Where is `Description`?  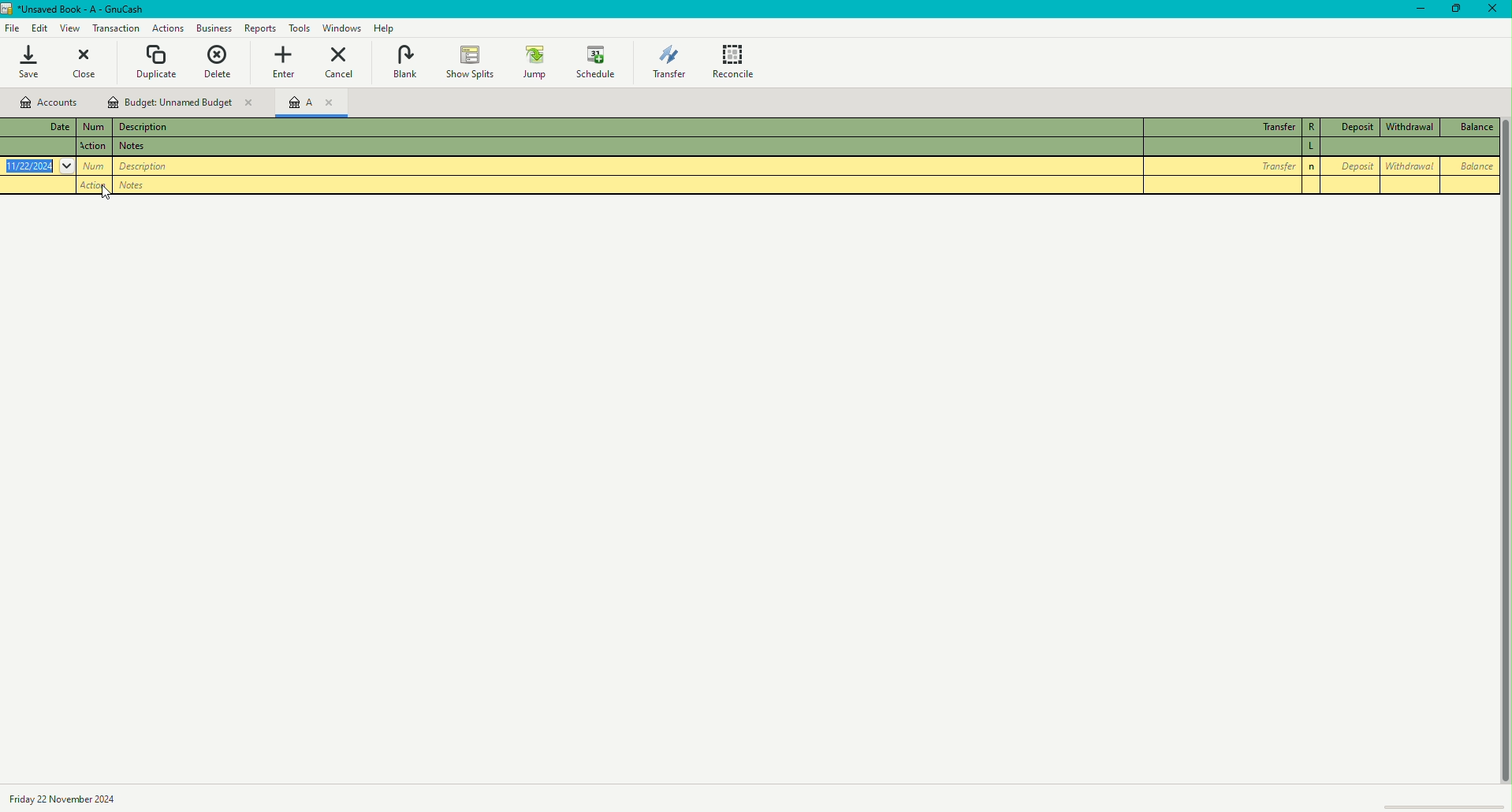 Description is located at coordinates (145, 128).